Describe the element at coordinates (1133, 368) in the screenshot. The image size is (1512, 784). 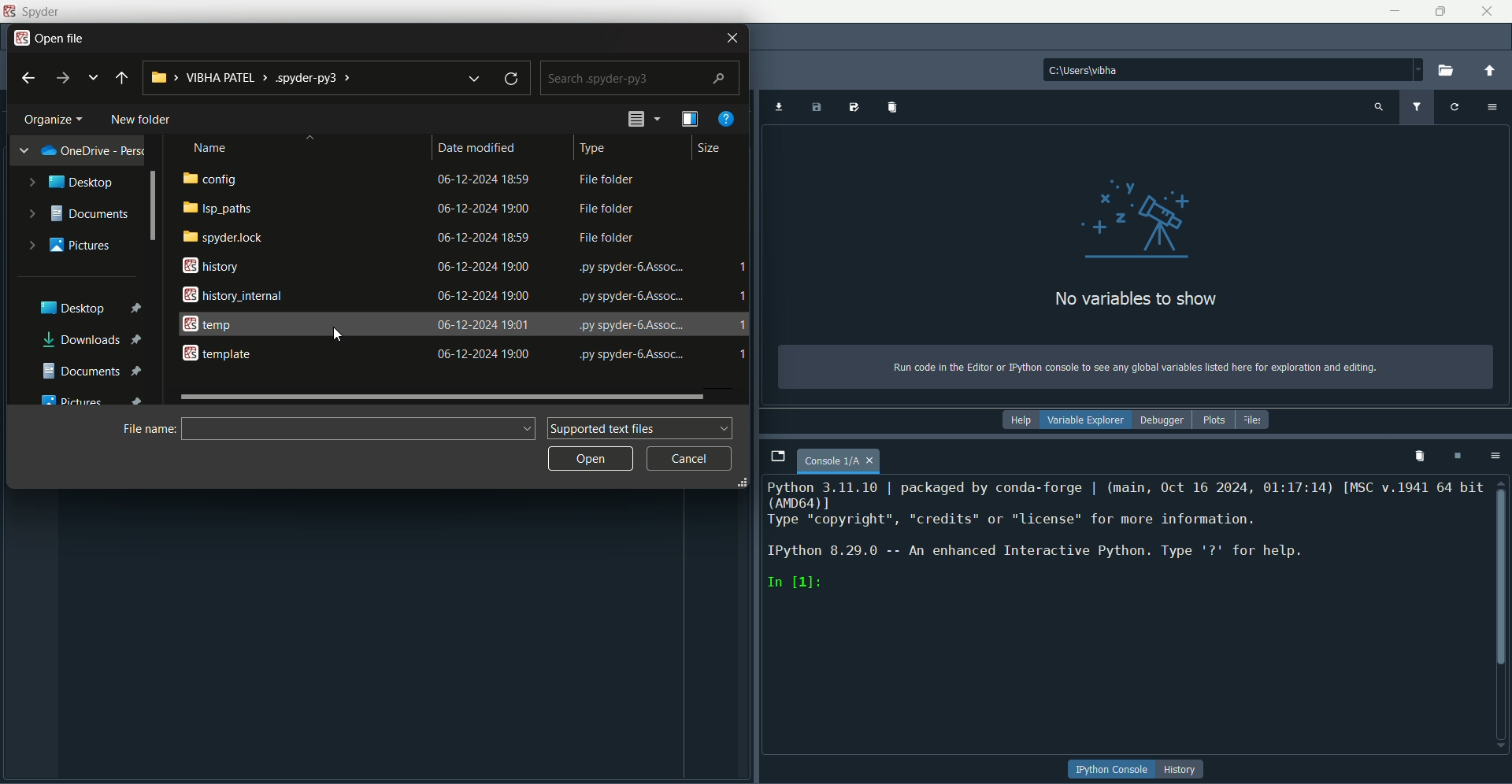
I see `text` at that location.